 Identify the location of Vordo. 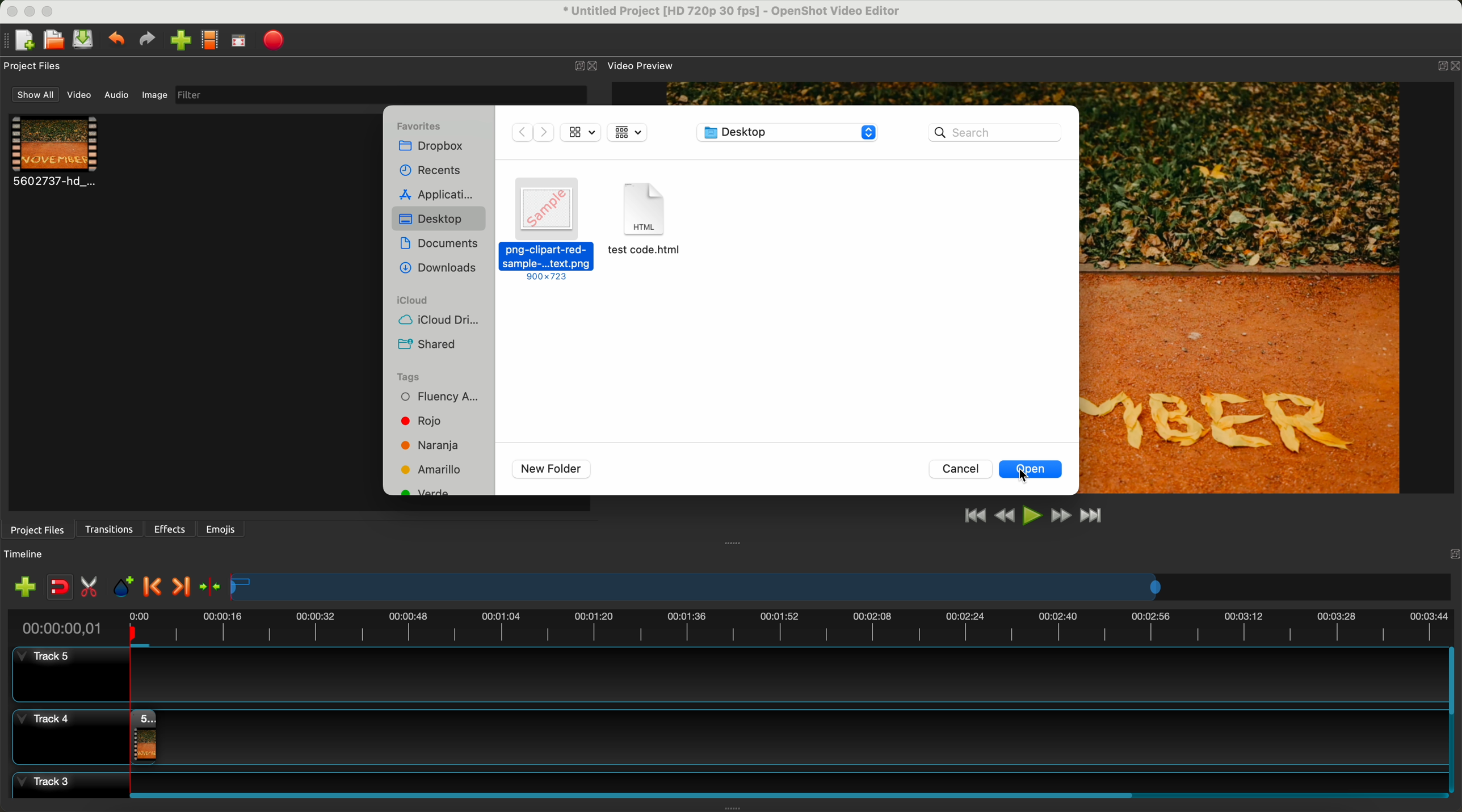
(425, 495).